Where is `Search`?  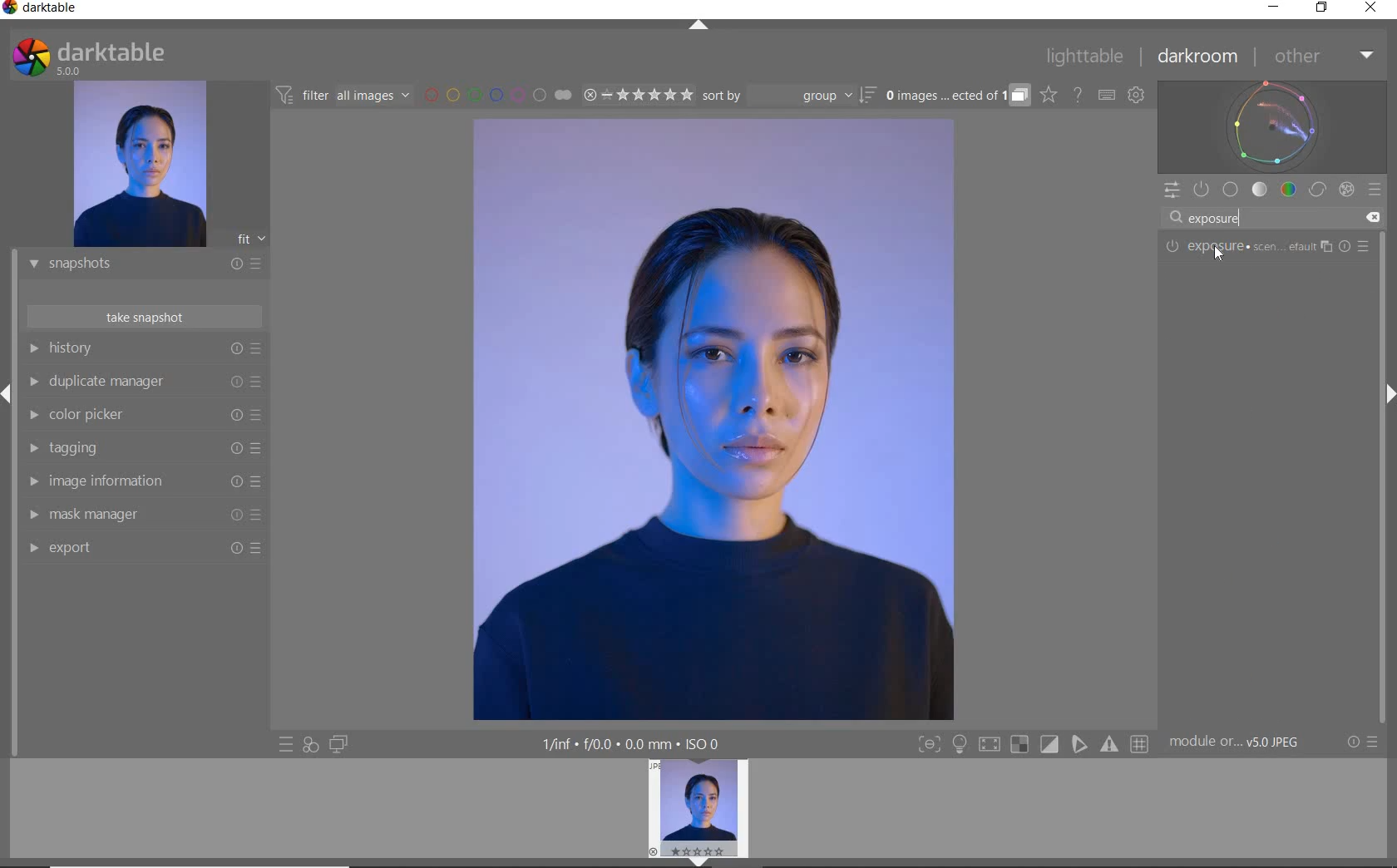 Search is located at coordinates (1173, 219).